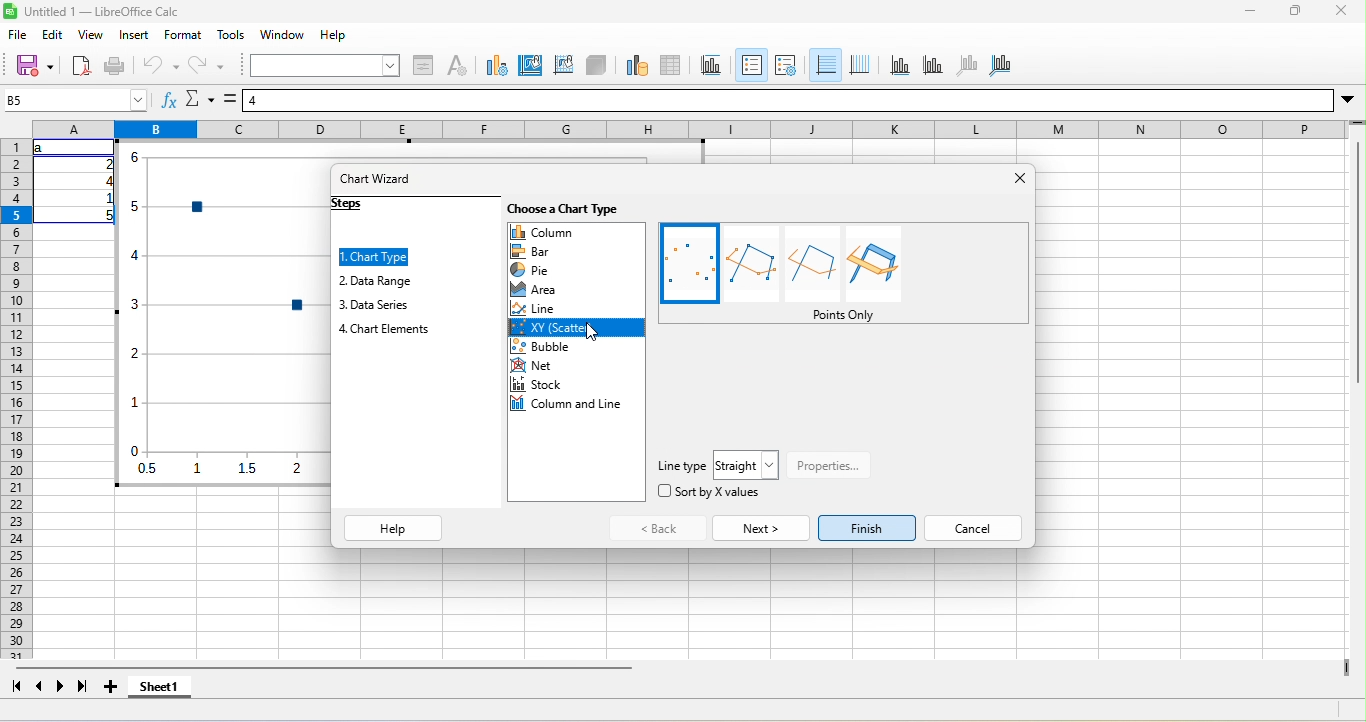 The image size is (1366, 722). I want to click on horizontal scroll bar, so click(323, 668).